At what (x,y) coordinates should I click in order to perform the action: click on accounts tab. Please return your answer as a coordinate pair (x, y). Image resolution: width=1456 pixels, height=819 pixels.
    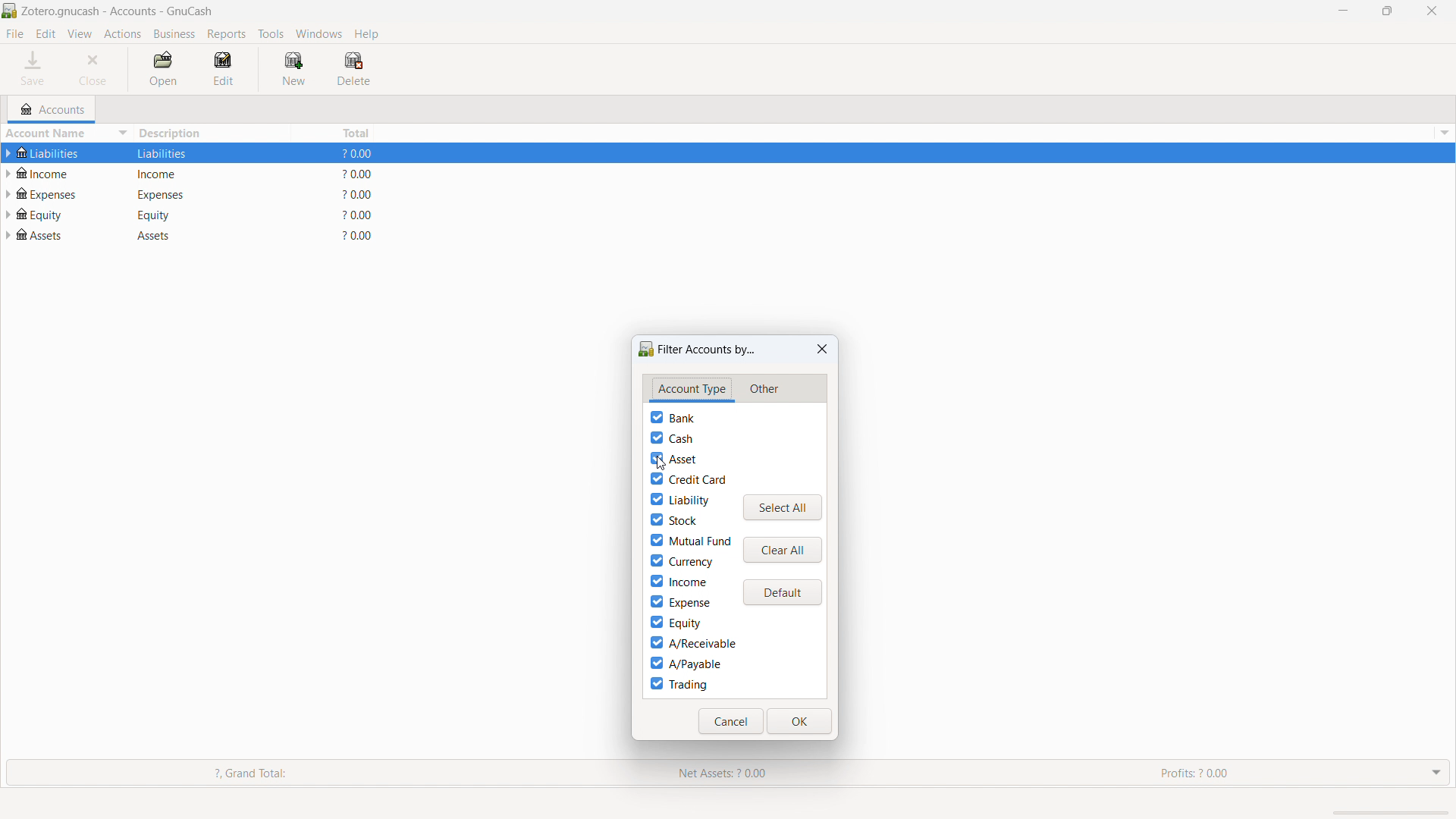
    Looking at the image, I should click on (52, 109).